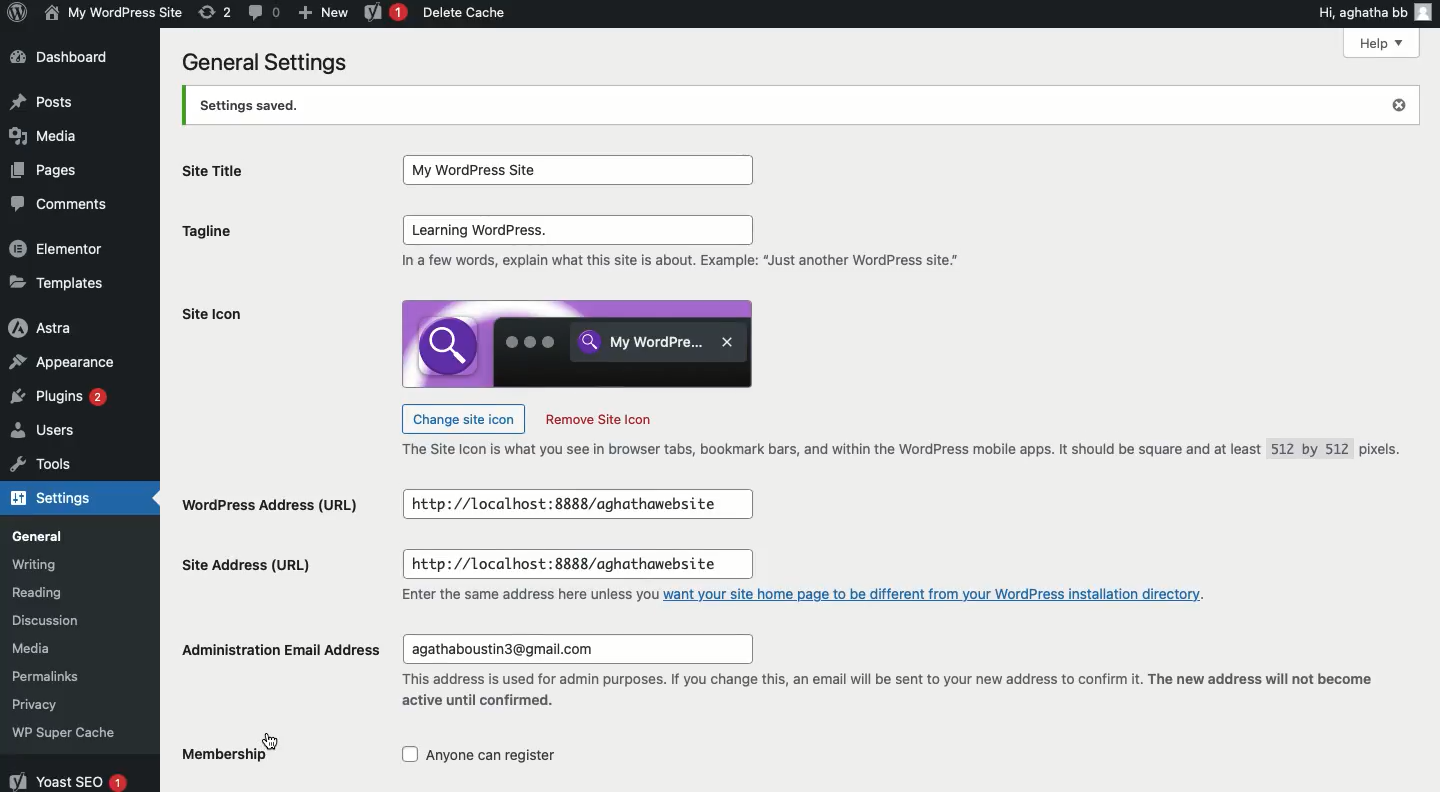  Describe the element at coordinates (497, 758) in the screenshot. I see `Anyone can register` at that location.